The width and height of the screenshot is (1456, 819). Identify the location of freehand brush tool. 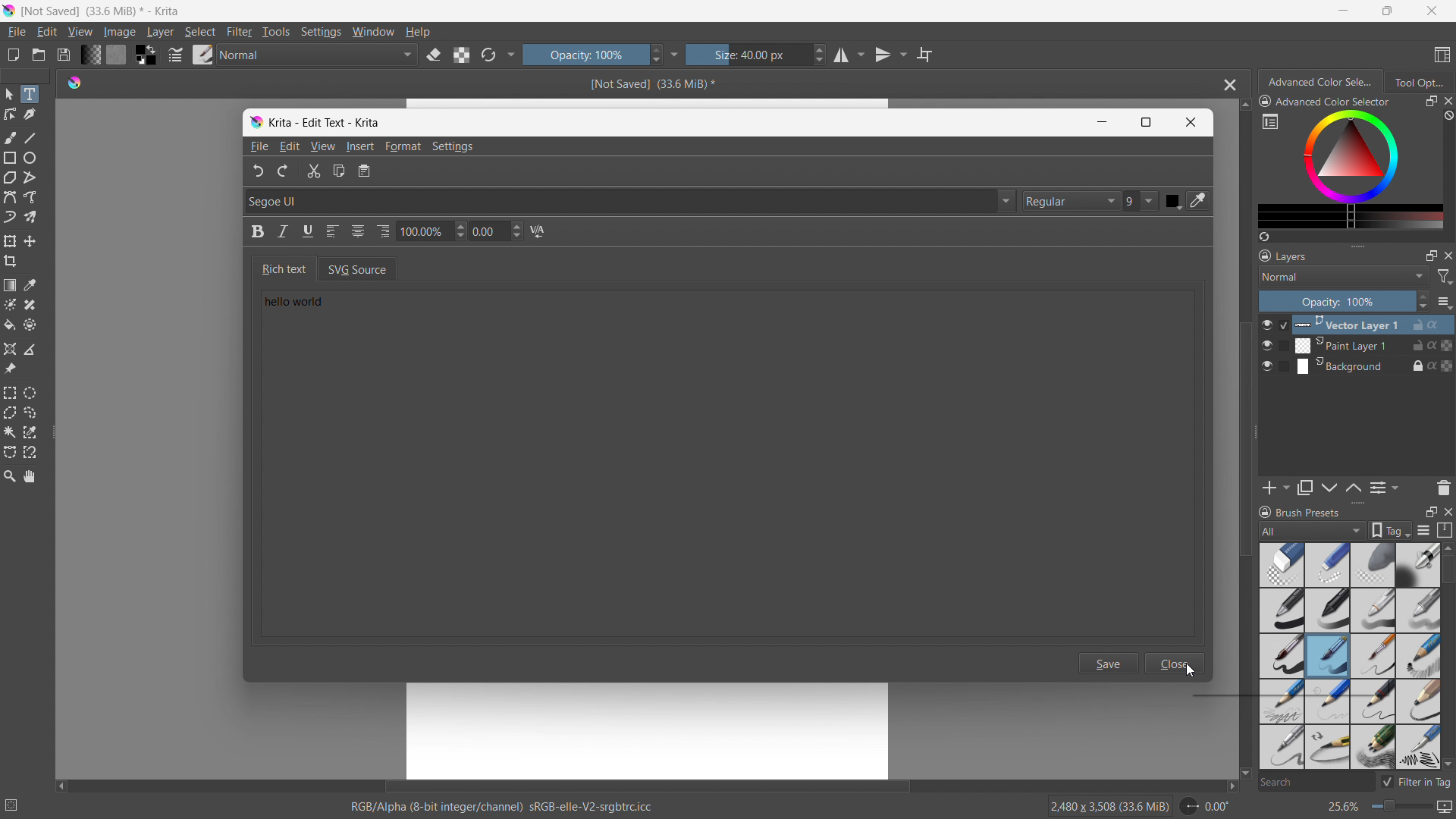
(11, 137).